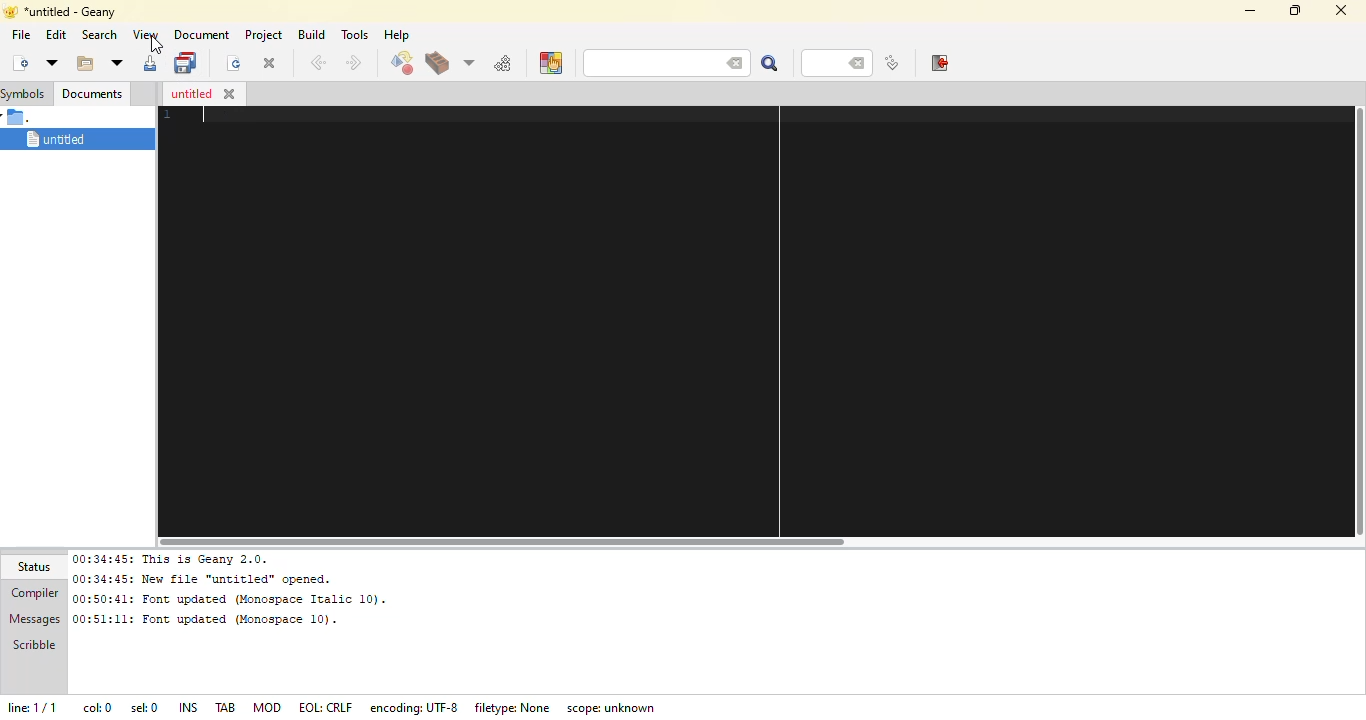 Image resolution: width=1366 pixels, height=720 pixels. What do you see at coordinates (938, 63) in the screenshot?
I see `exit` at bounding box center [938, 63].